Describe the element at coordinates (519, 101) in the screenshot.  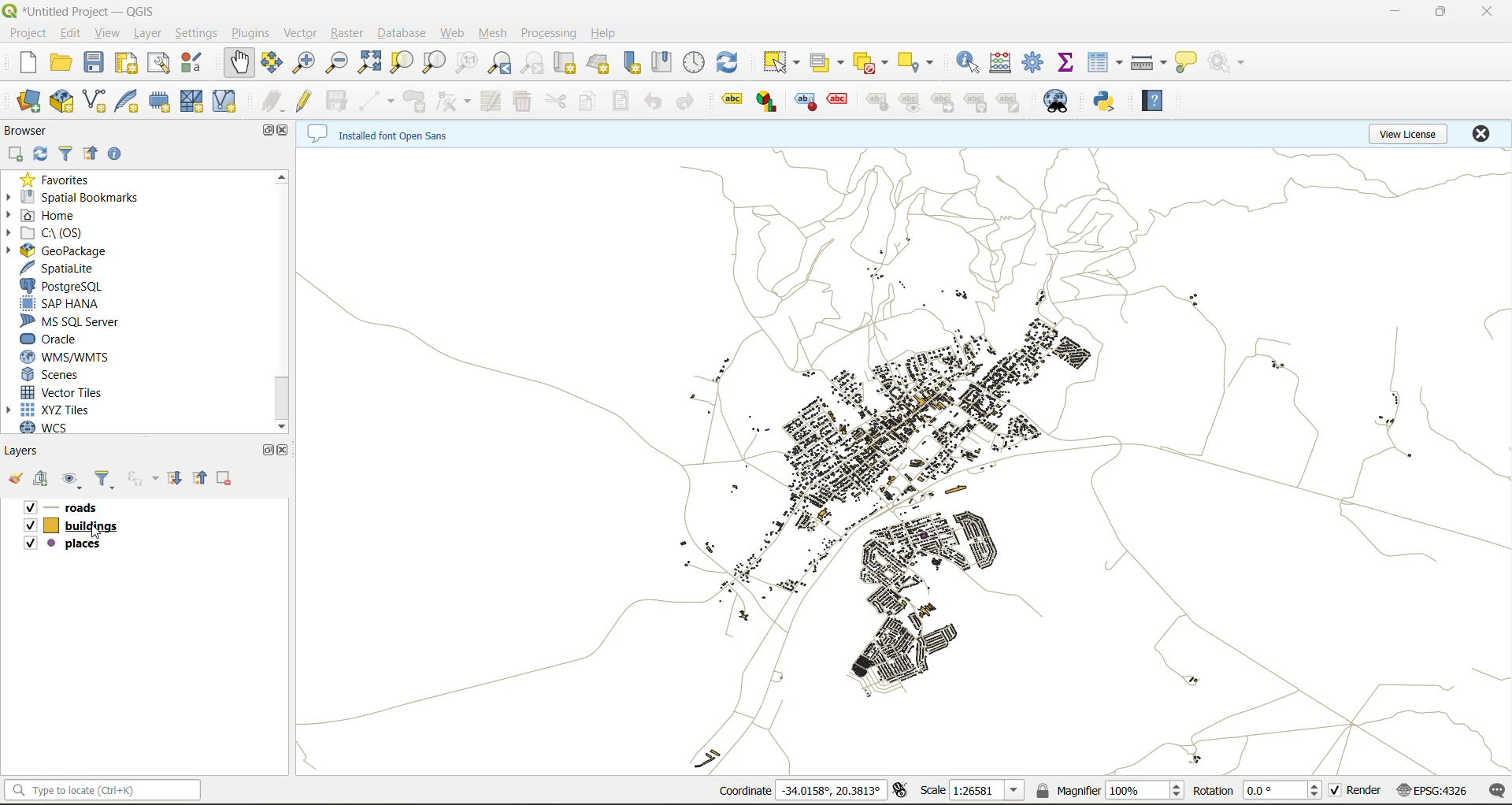
I see `delete` at that location.